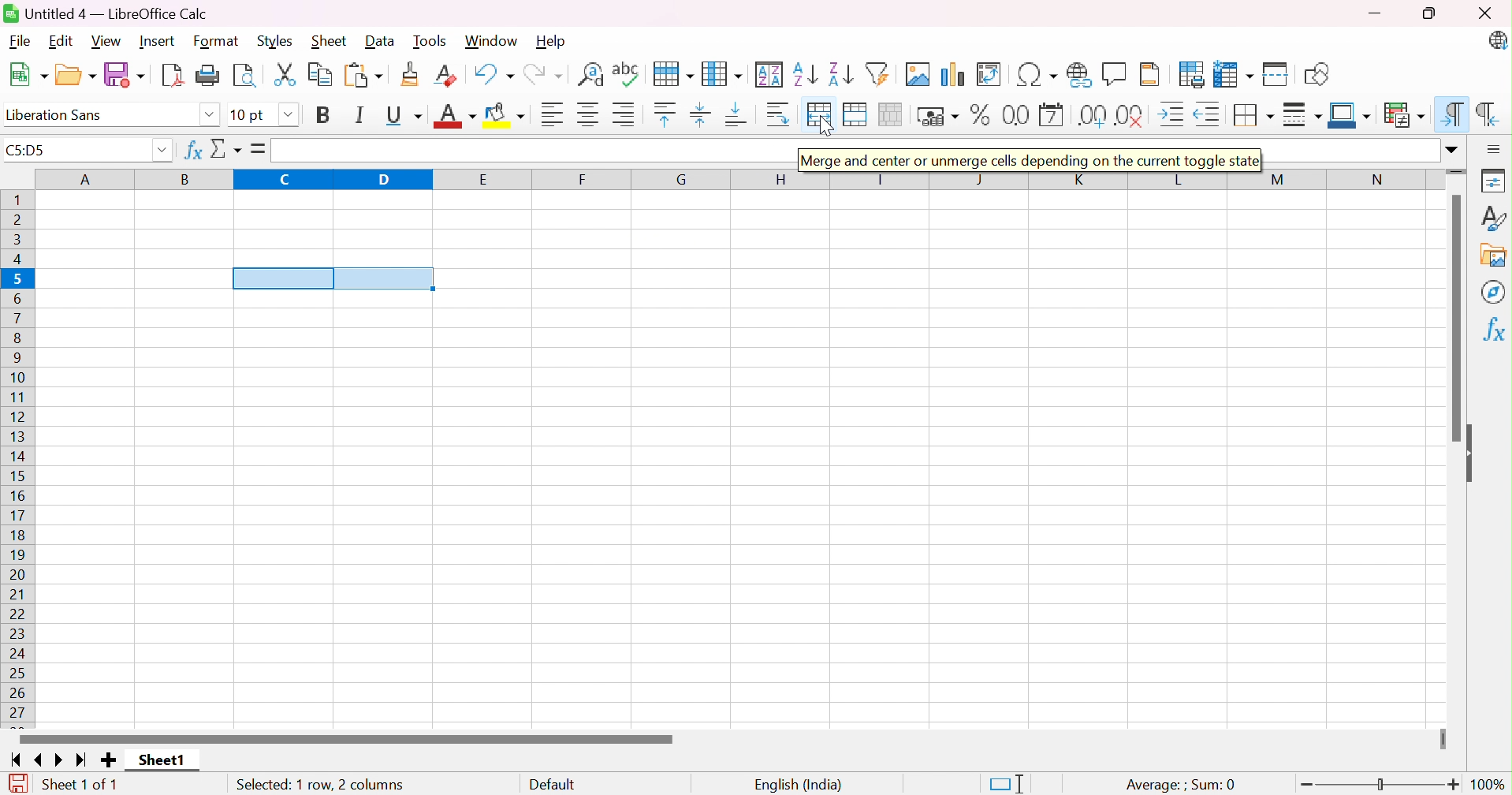  Describe the element at coordinates (29, 73) in the screenshot. I see `New` at that location.